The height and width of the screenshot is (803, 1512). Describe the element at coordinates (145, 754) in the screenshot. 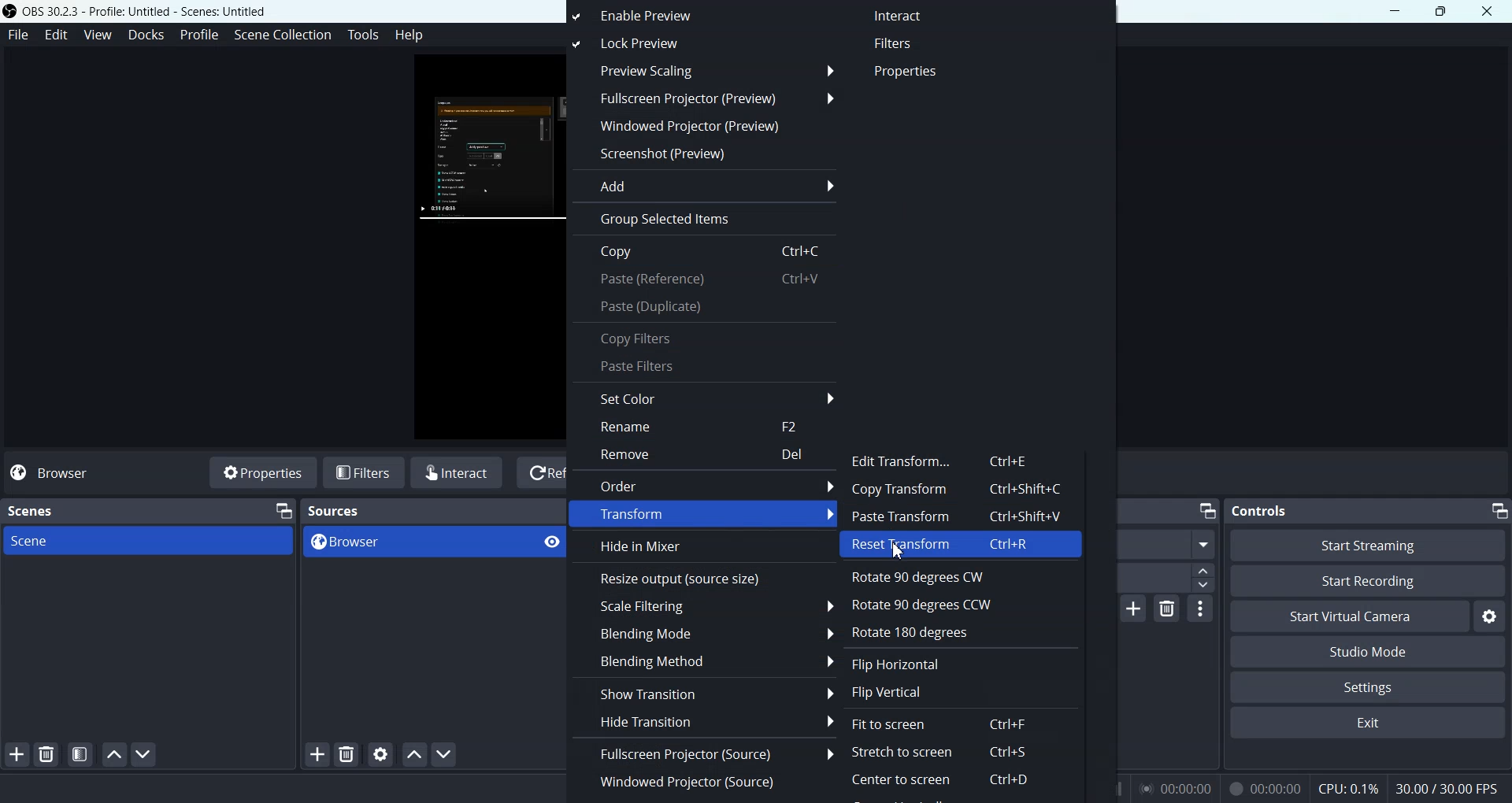

I see `Move Scene Down` at that location.